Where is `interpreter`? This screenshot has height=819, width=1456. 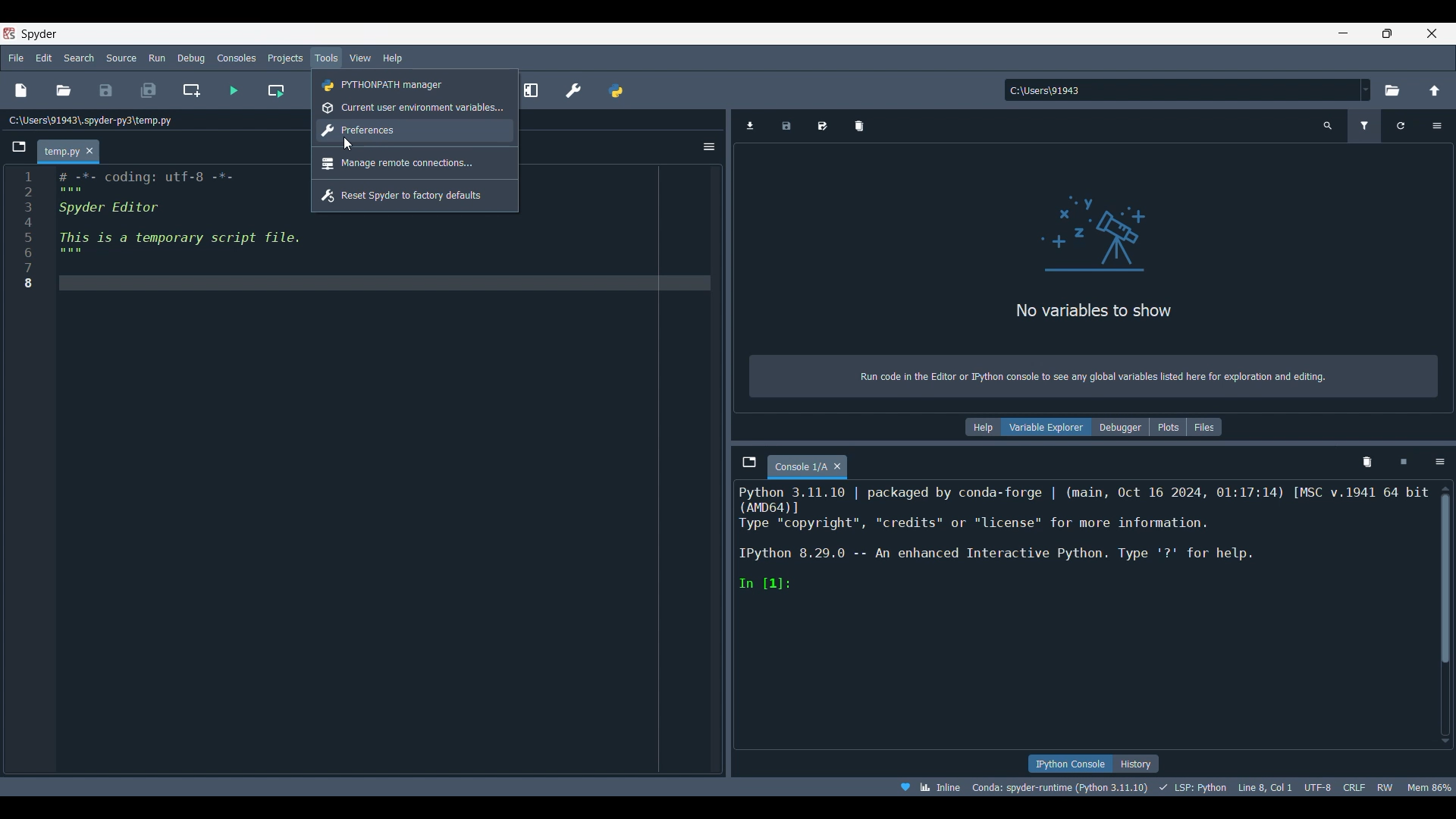 interpreter is located at coordinates (1061, 787).